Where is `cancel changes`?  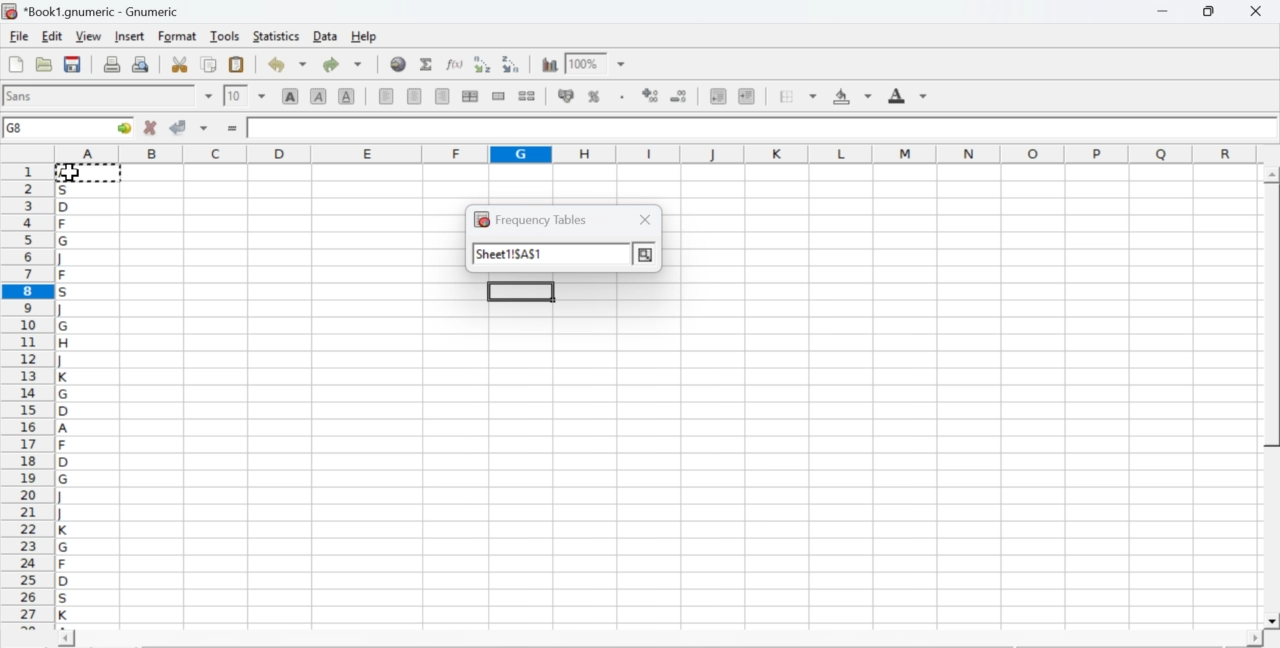 cancel changes is located at coordinates (151, 127).